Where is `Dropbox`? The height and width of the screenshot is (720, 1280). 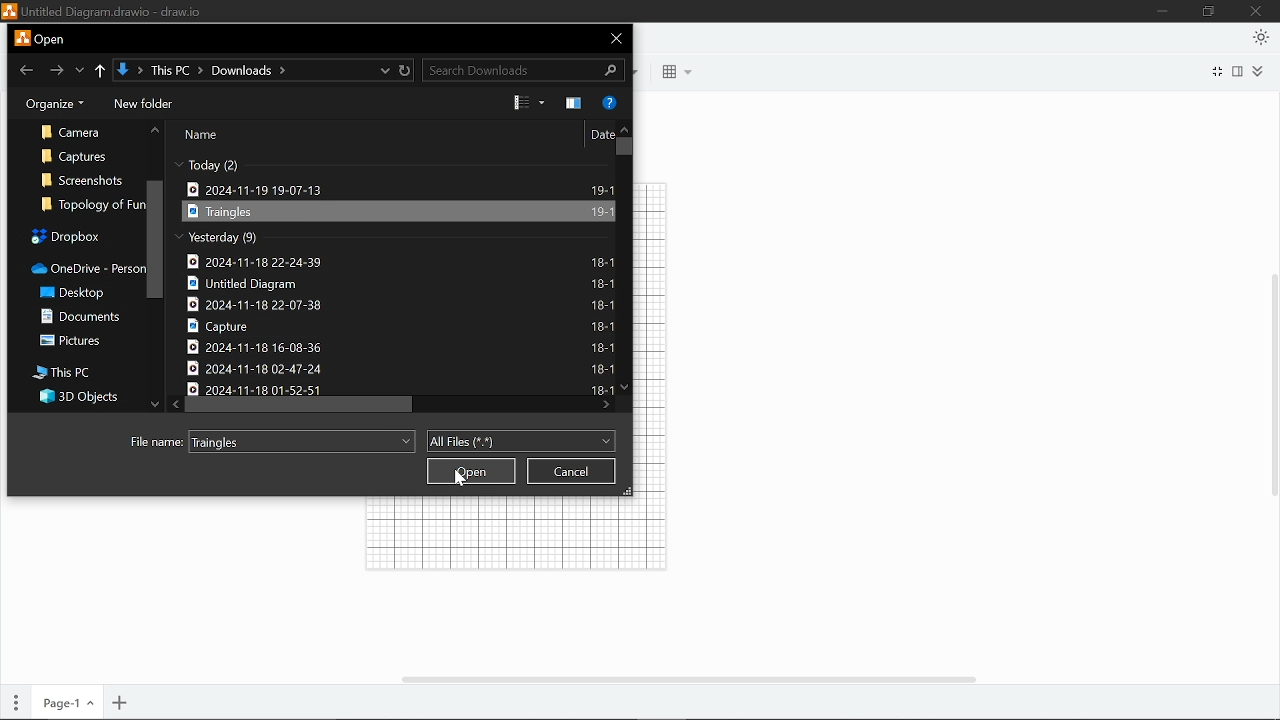 Dropbox is located at coordinates (78, 236).